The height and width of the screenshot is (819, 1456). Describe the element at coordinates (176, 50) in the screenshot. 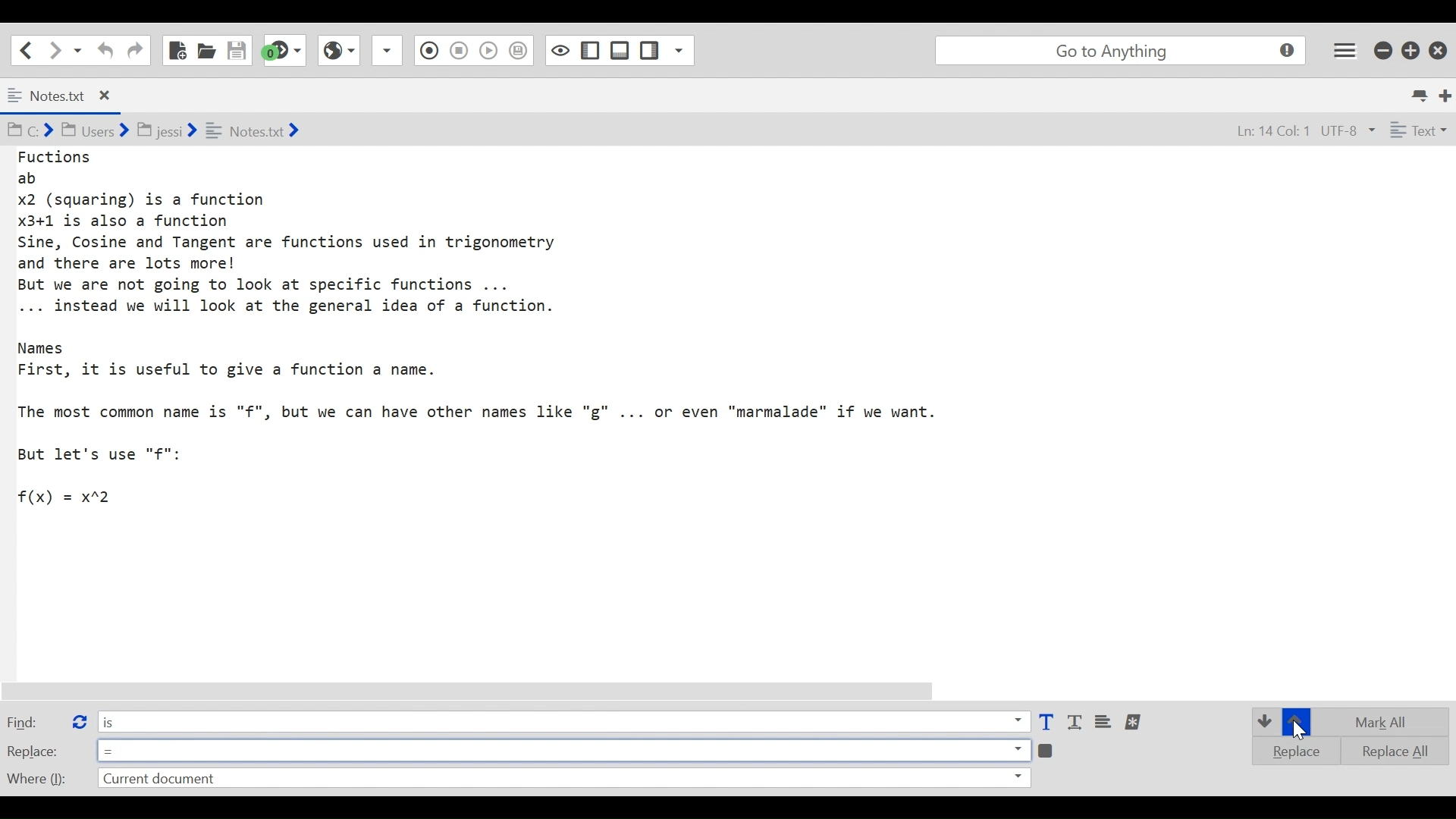

I see `New File` at that location.